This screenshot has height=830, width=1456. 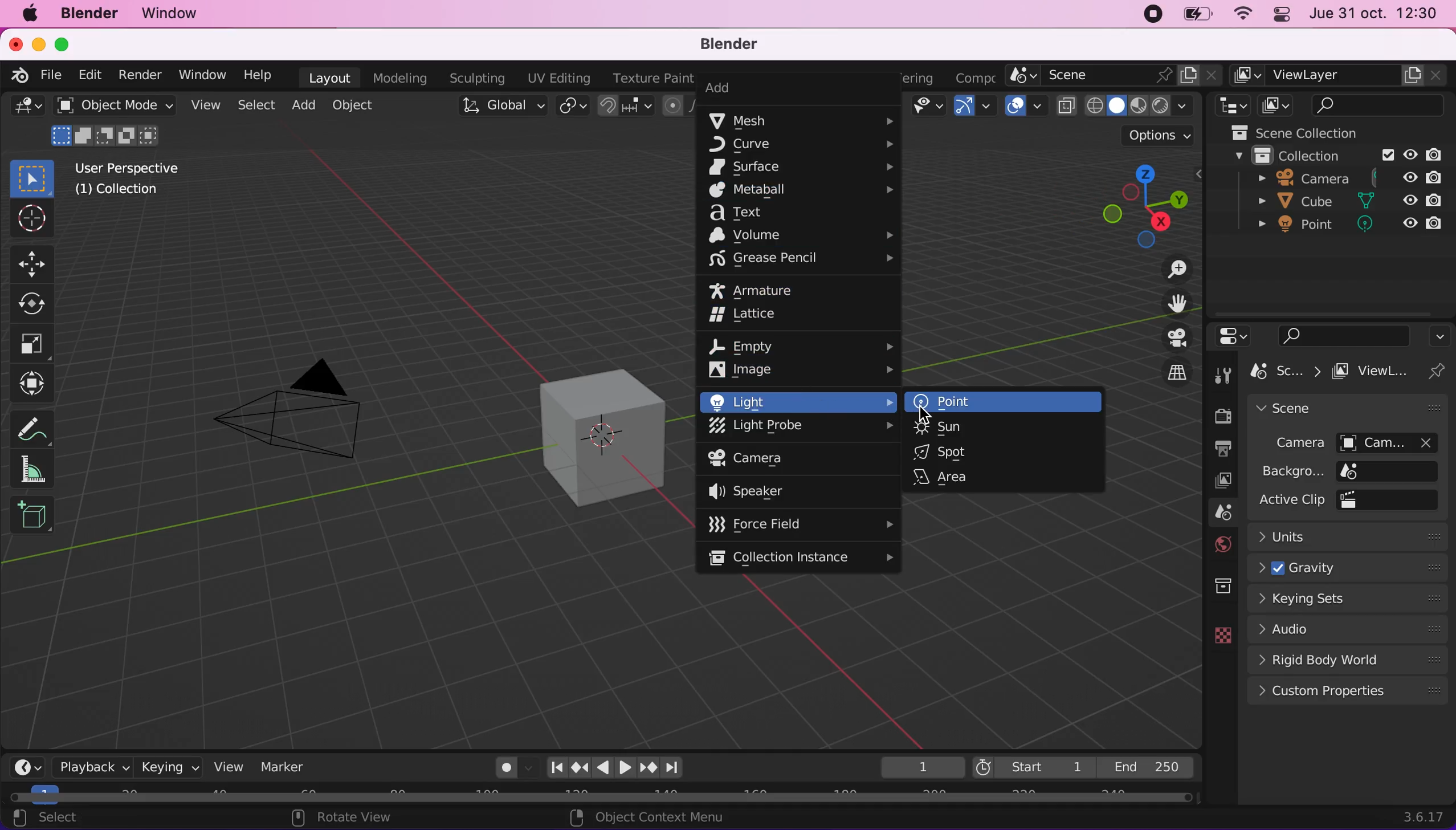 I want to click on move the view, so click(x=1170, y=304).